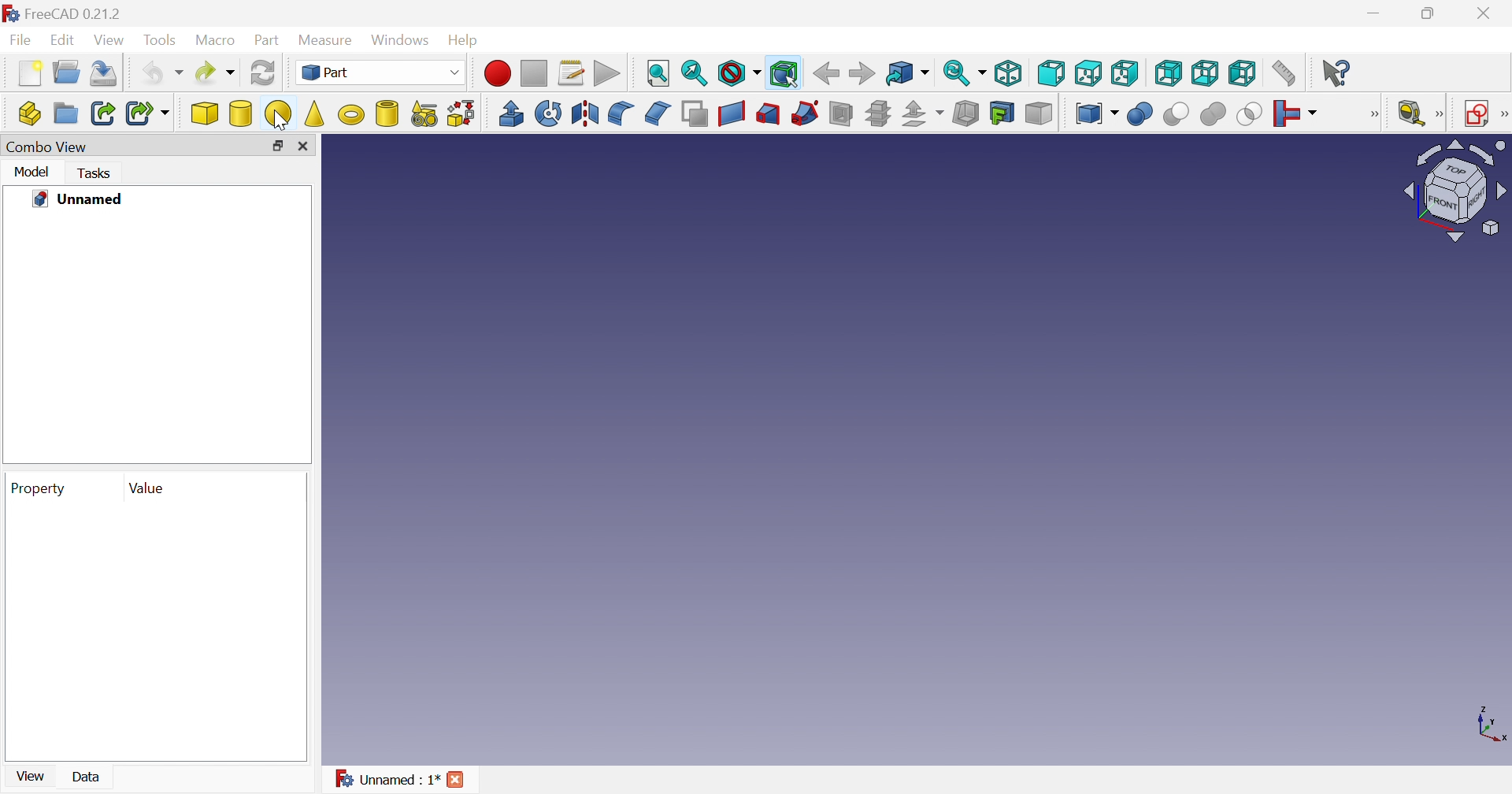 The image size is (1512, 794). Describe the element at coordinates (1090, 72) in the screenshot. I see `Top` at that location.